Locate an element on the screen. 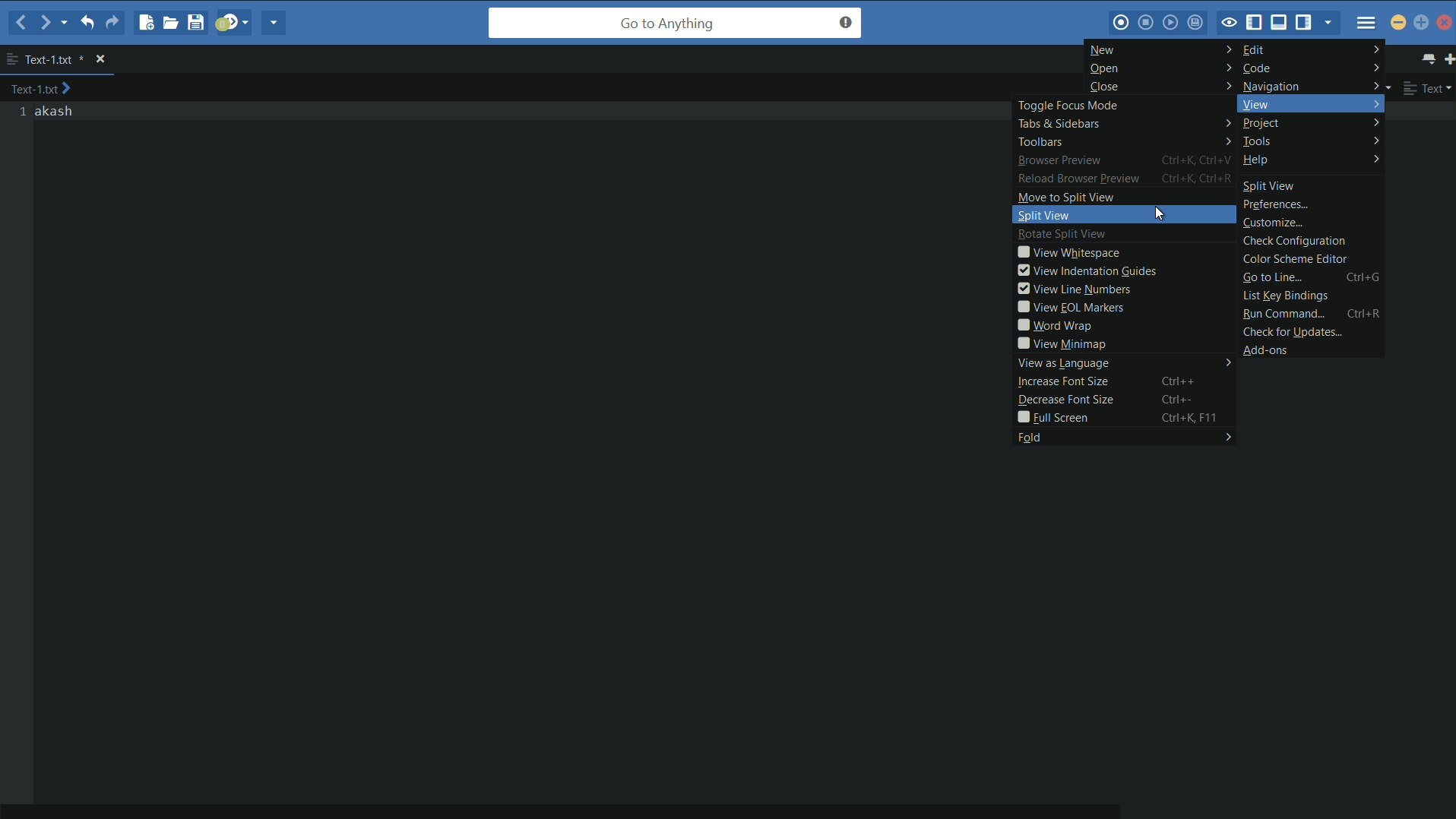 This screenshot has height=819, width=1456. close is located at coordinates (1160, 86).